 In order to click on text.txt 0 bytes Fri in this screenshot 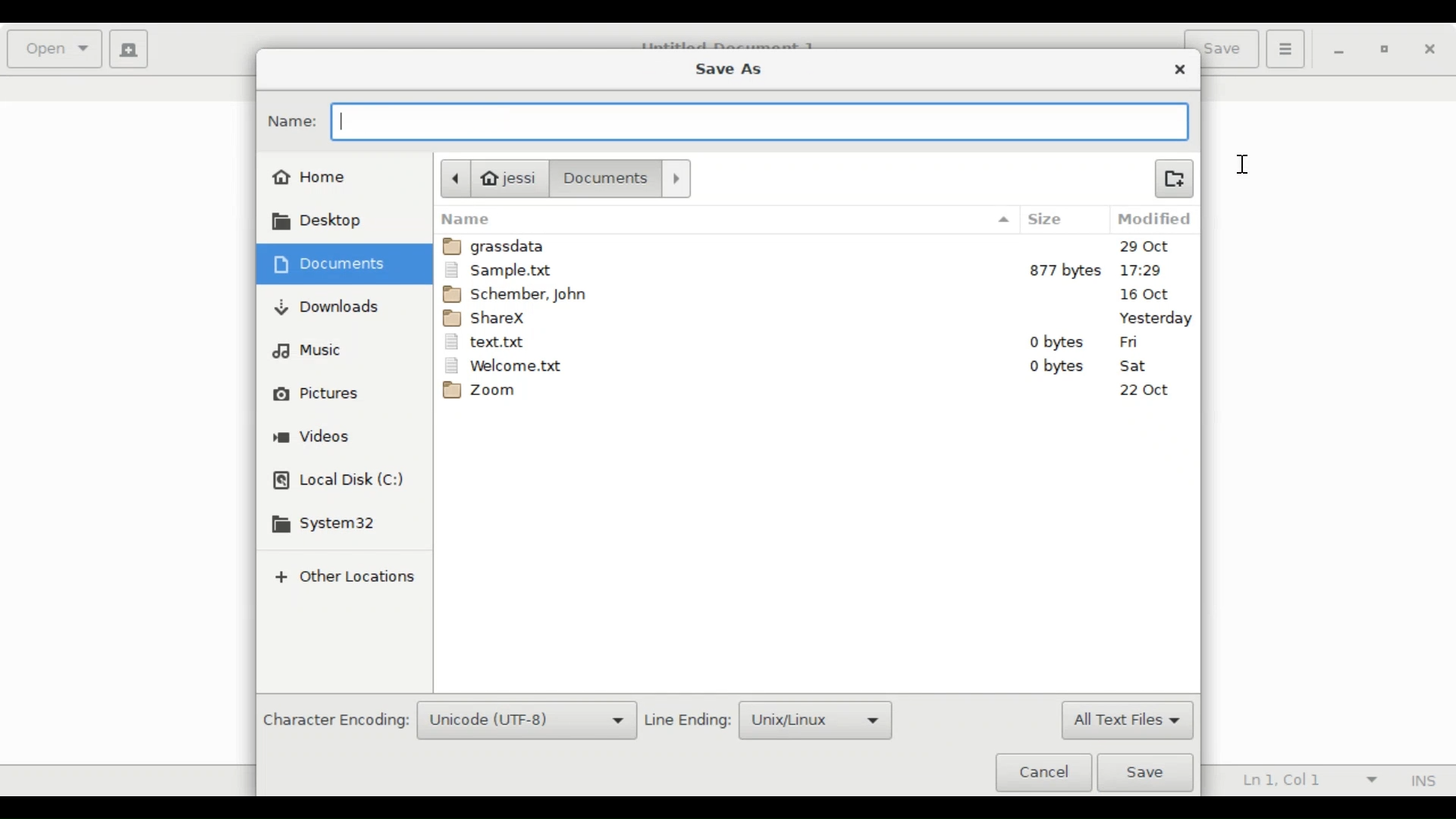, I will do `click(815, 342)`.